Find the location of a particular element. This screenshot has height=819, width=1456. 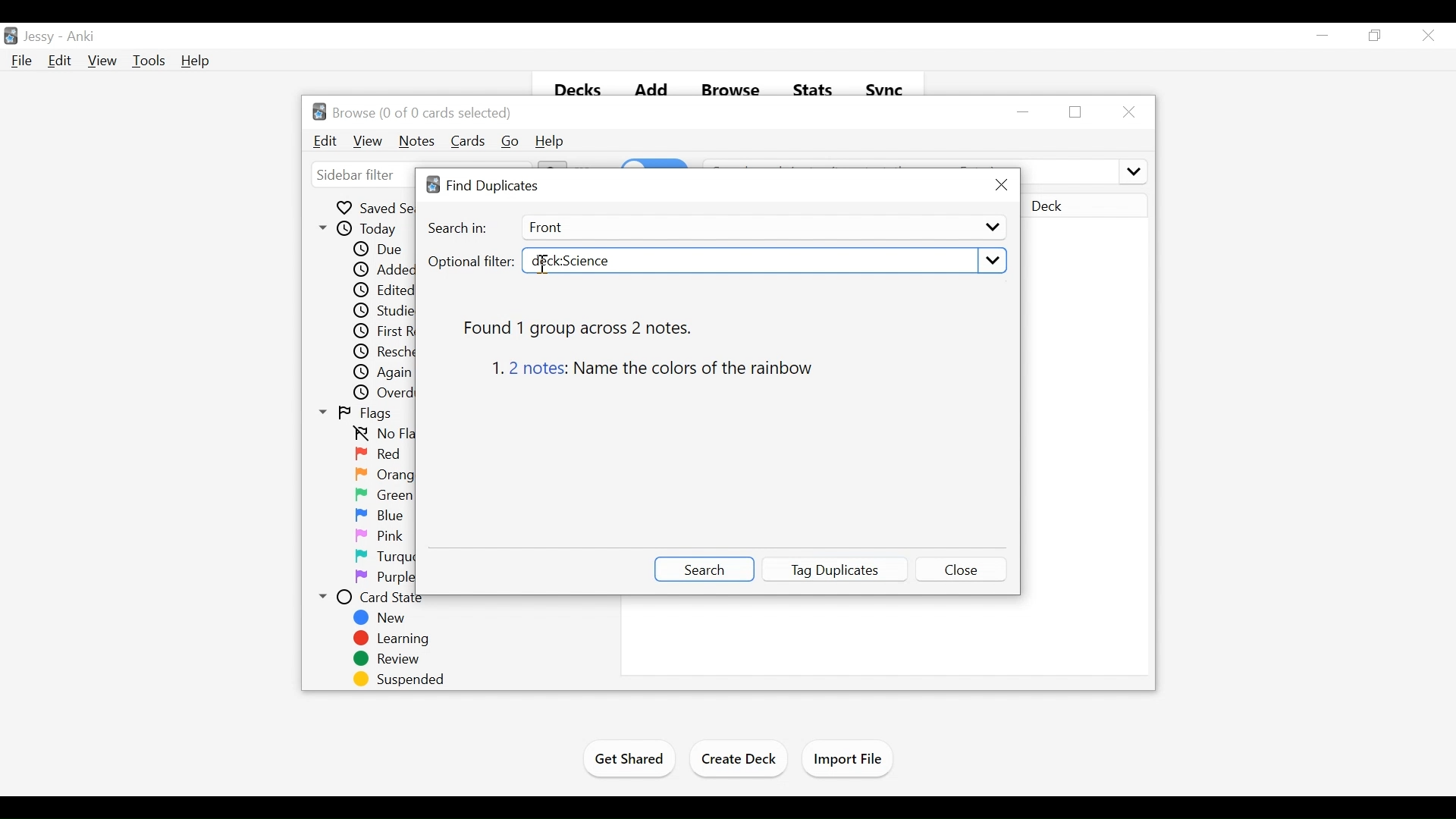

Turquoise is located at coordinates (403, 557).